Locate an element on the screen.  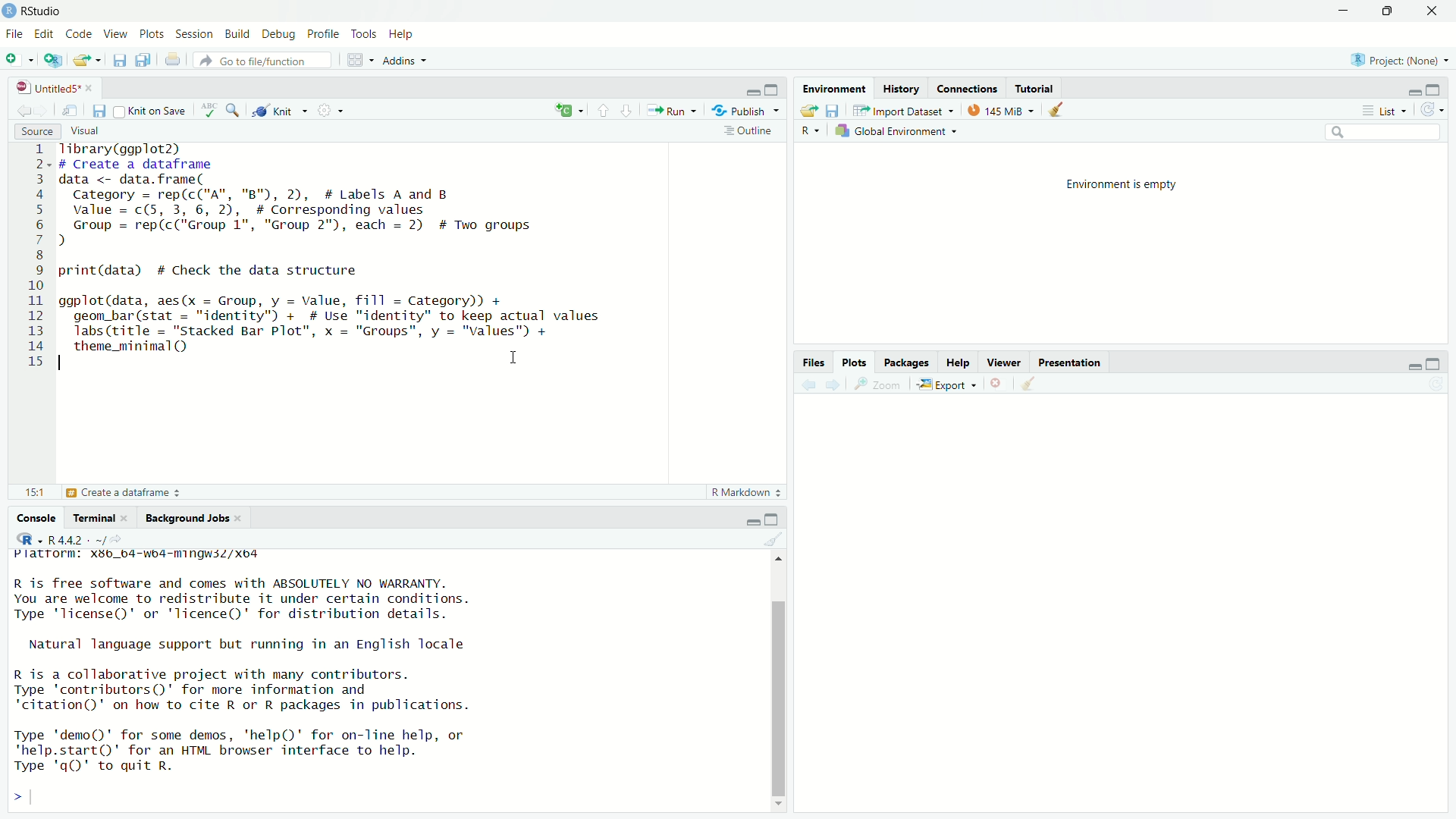
R is free software and comes with ABSOLUTELY NO WARRANTY.

You are welcome to redistribute it under certain conditions.

Type "license" or 'licence()' for distribution details.
Natural language support but running in an English locale

R is a collaborative project with many contributors.

Type 'contributors()' for more information and

'citation()' on how to cite R or R packages in publications.

Type 'demo()' for some demos, 'help()' for on-line help, or

*help.start()' for an HTML browser interface to help.

Type 'gQ' to quit R.

> is located at coordinates (272, 694).